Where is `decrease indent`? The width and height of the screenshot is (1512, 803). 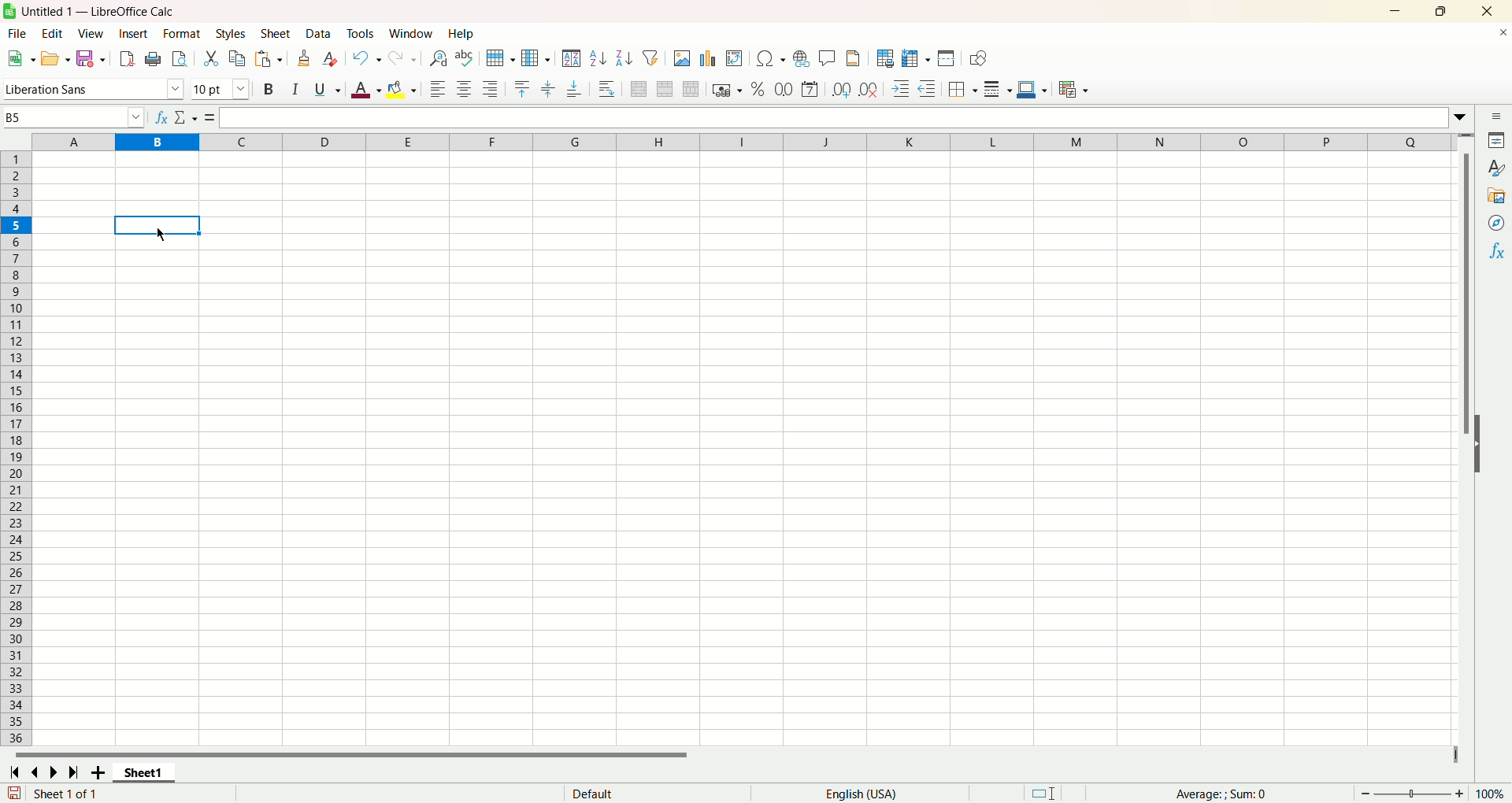 decrease indent is located at coordinates (929, 89).